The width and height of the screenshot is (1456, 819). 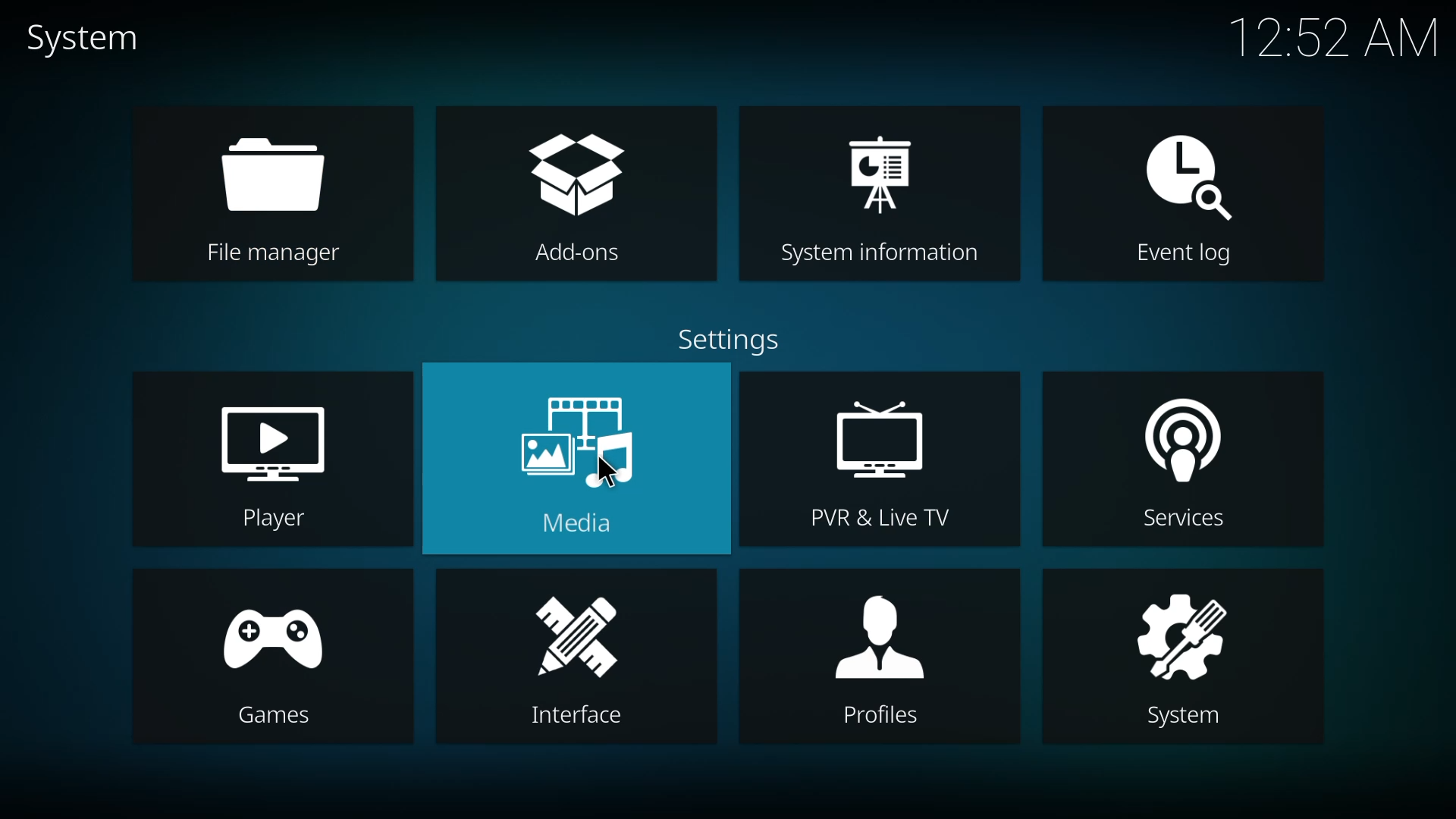 I want to click on interface, so click(x=578, y=635).